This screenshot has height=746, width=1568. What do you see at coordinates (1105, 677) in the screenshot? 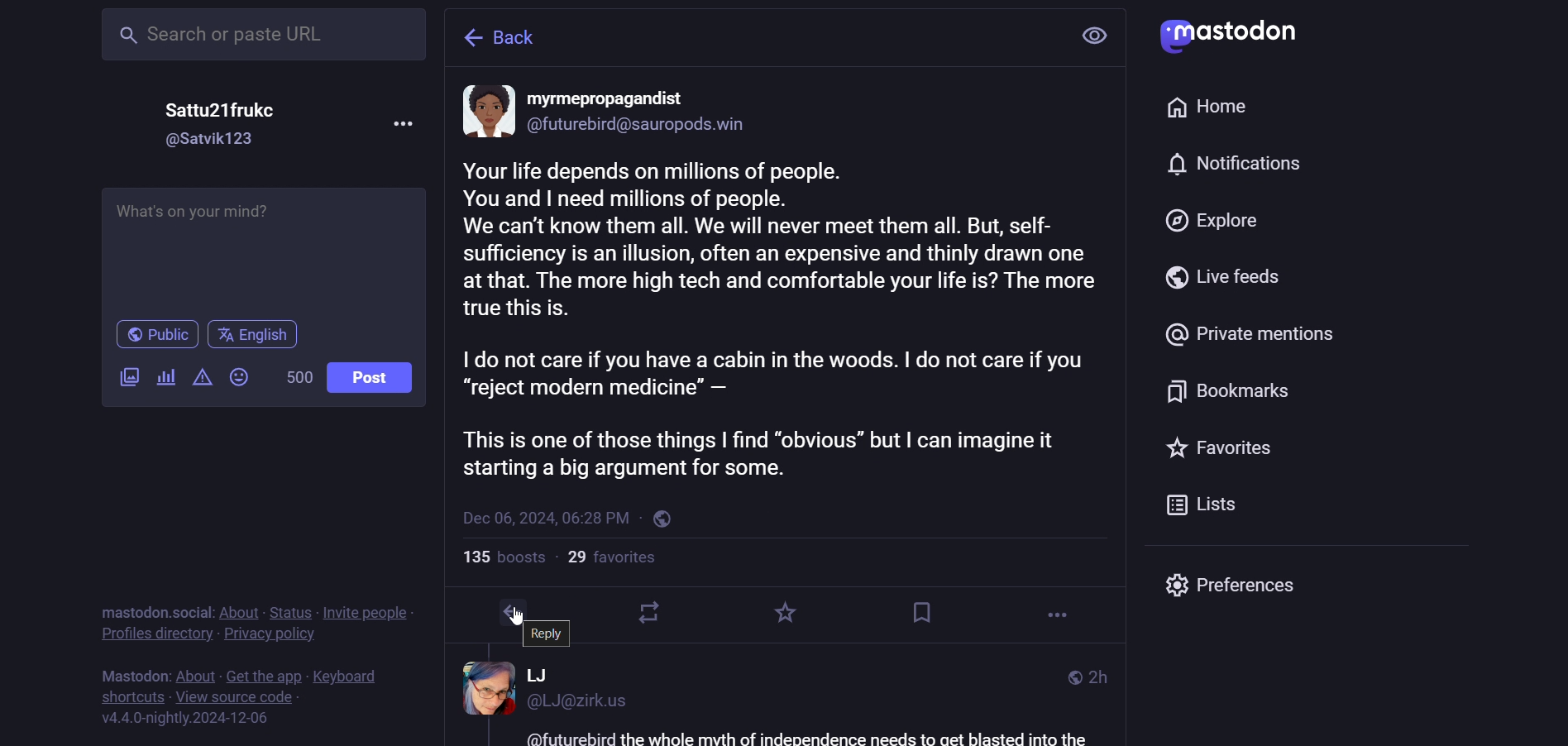
I see `last modifiied` at bounding box center [1105, 677].